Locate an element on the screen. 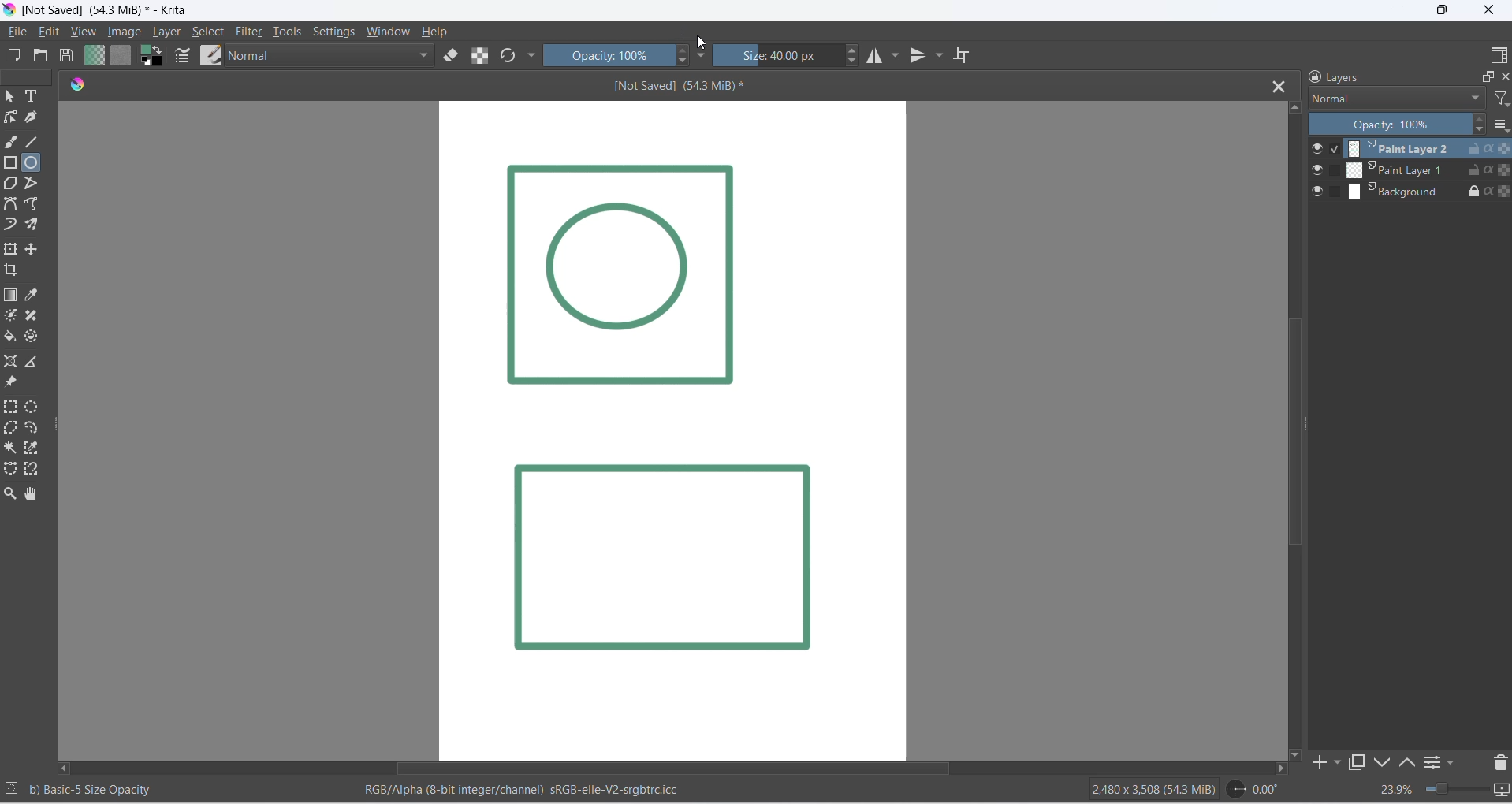  window is located at coordinates (390, 32).